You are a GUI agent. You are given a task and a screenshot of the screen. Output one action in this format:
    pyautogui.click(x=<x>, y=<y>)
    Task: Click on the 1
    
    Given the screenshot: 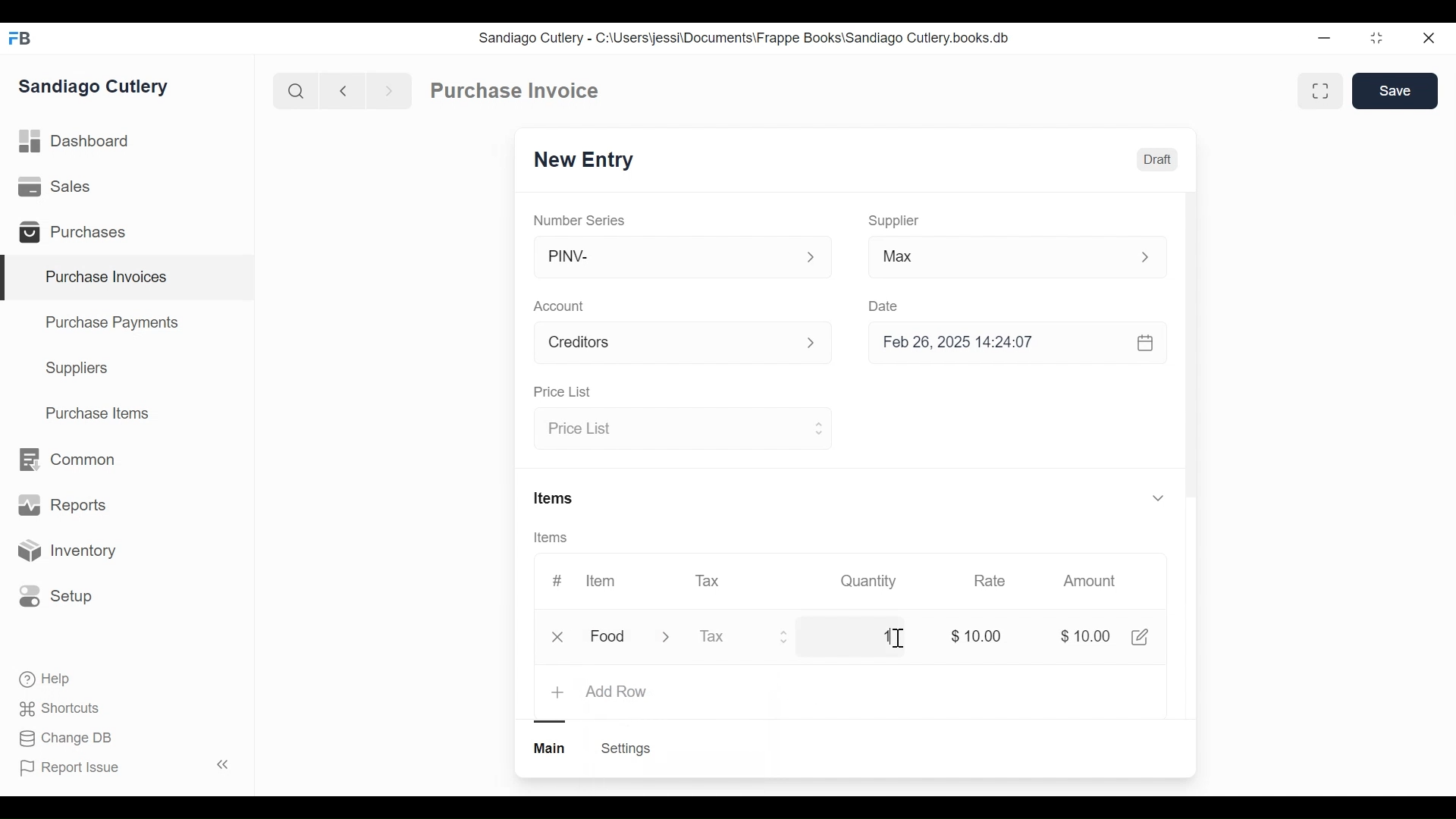 What is the action you would take?
    pyautogui.click(x=885, y=636)
    